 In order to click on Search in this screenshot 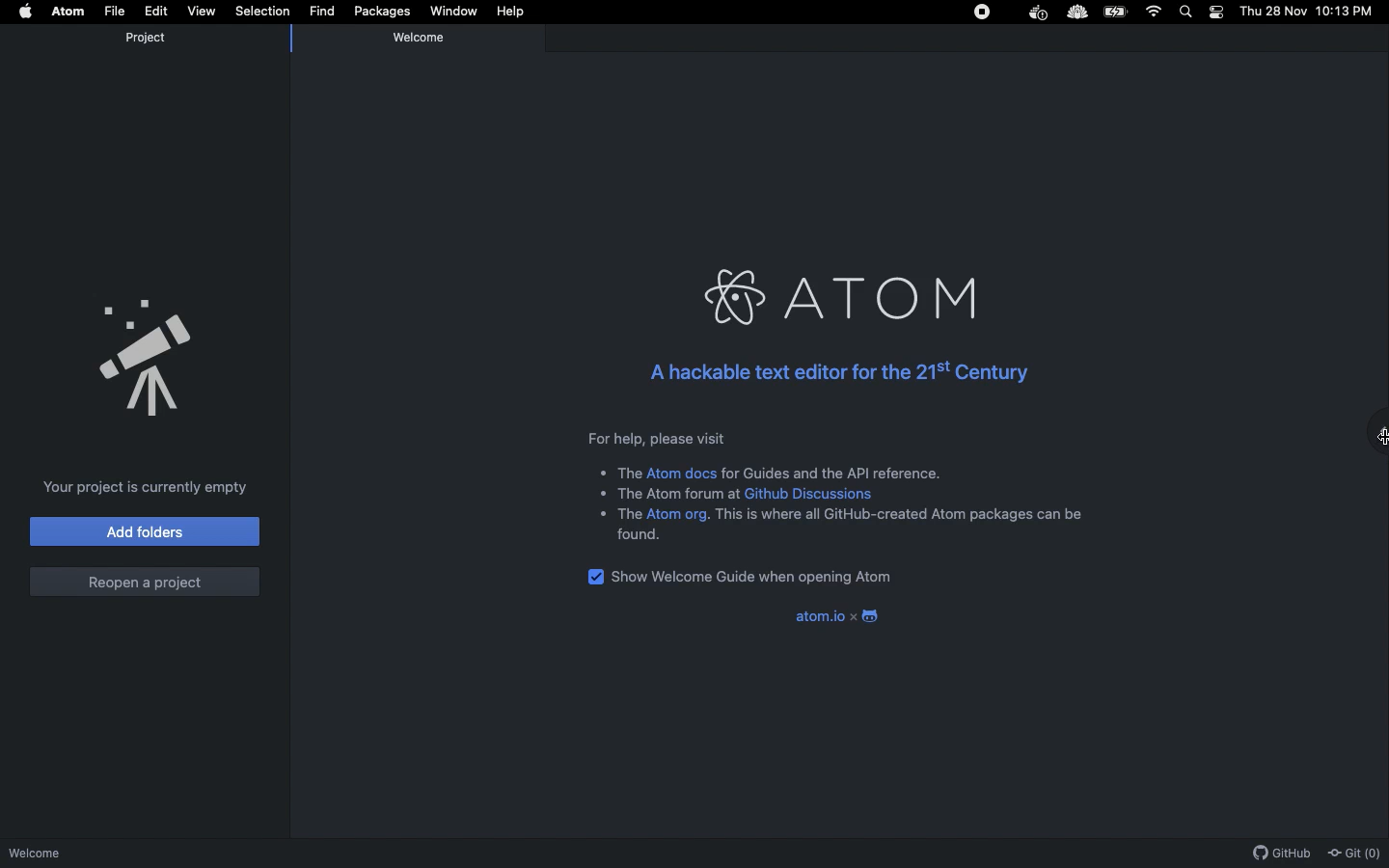, I will do `click(1188, 13)`.